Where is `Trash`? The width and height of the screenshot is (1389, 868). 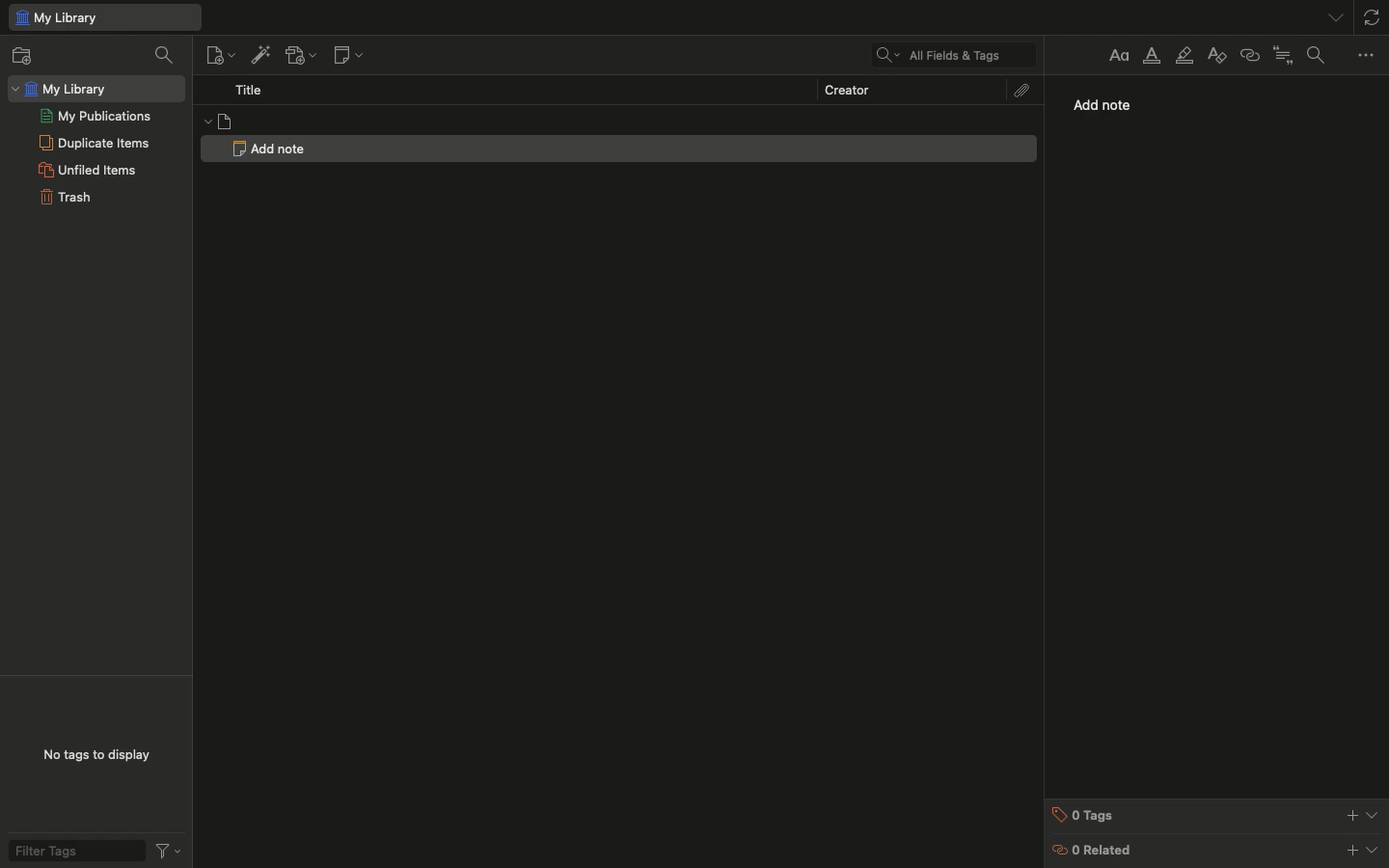
Trash is located at coordinates (65, 198).